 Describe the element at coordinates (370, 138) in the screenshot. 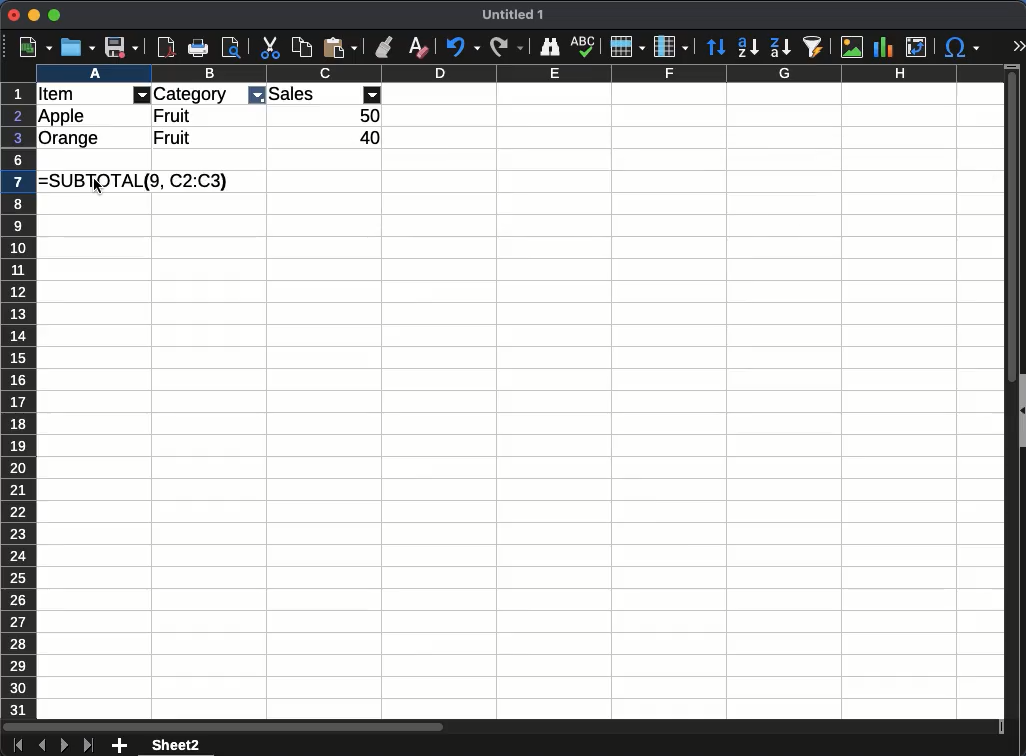

I see `40` at that location.